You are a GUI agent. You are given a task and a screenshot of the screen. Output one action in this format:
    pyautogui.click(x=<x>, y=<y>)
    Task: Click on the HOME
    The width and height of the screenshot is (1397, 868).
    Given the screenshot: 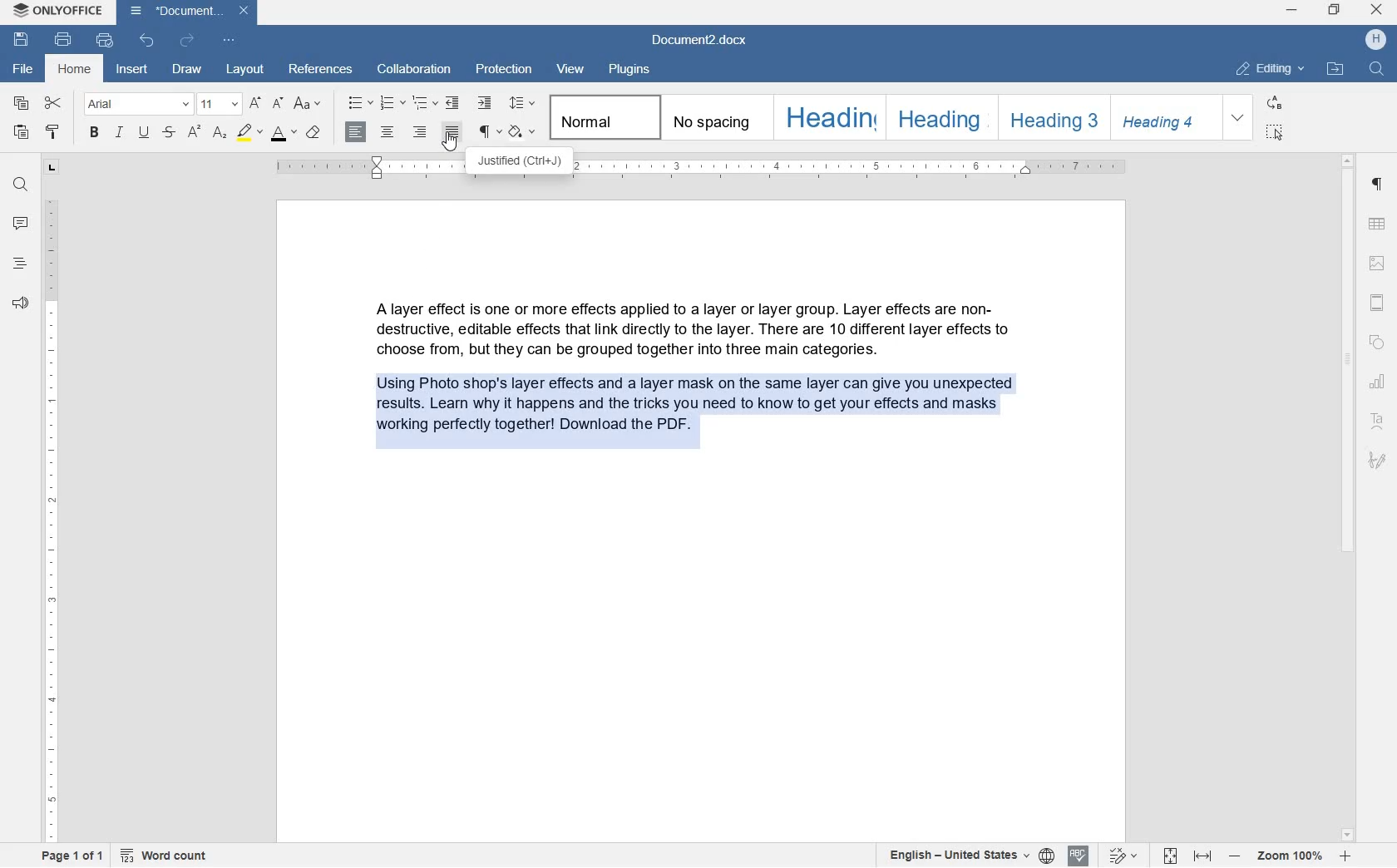 What is the action you would take?
    pyautogui.click(x=77, y=71)
    